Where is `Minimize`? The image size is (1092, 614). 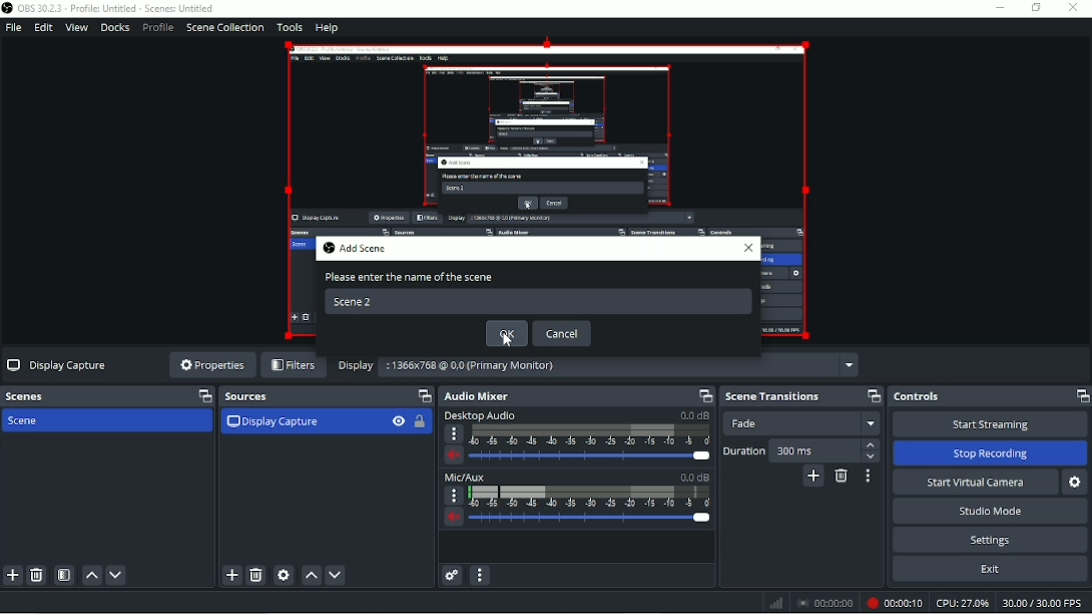
Minimize is located at coordinates (1000, 7).